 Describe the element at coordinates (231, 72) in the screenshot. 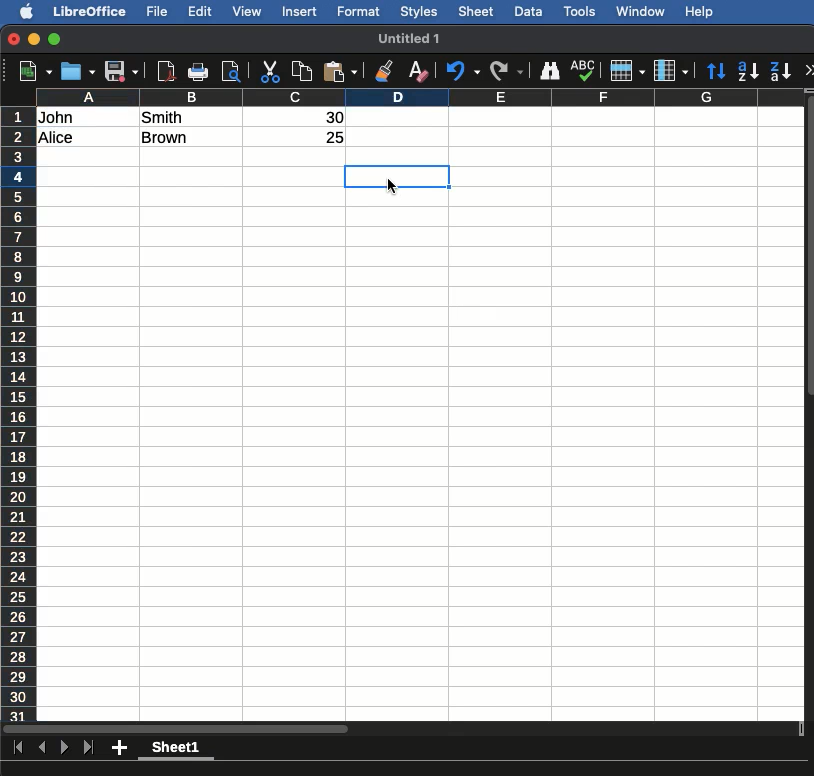

I see `Preview print` at that location.